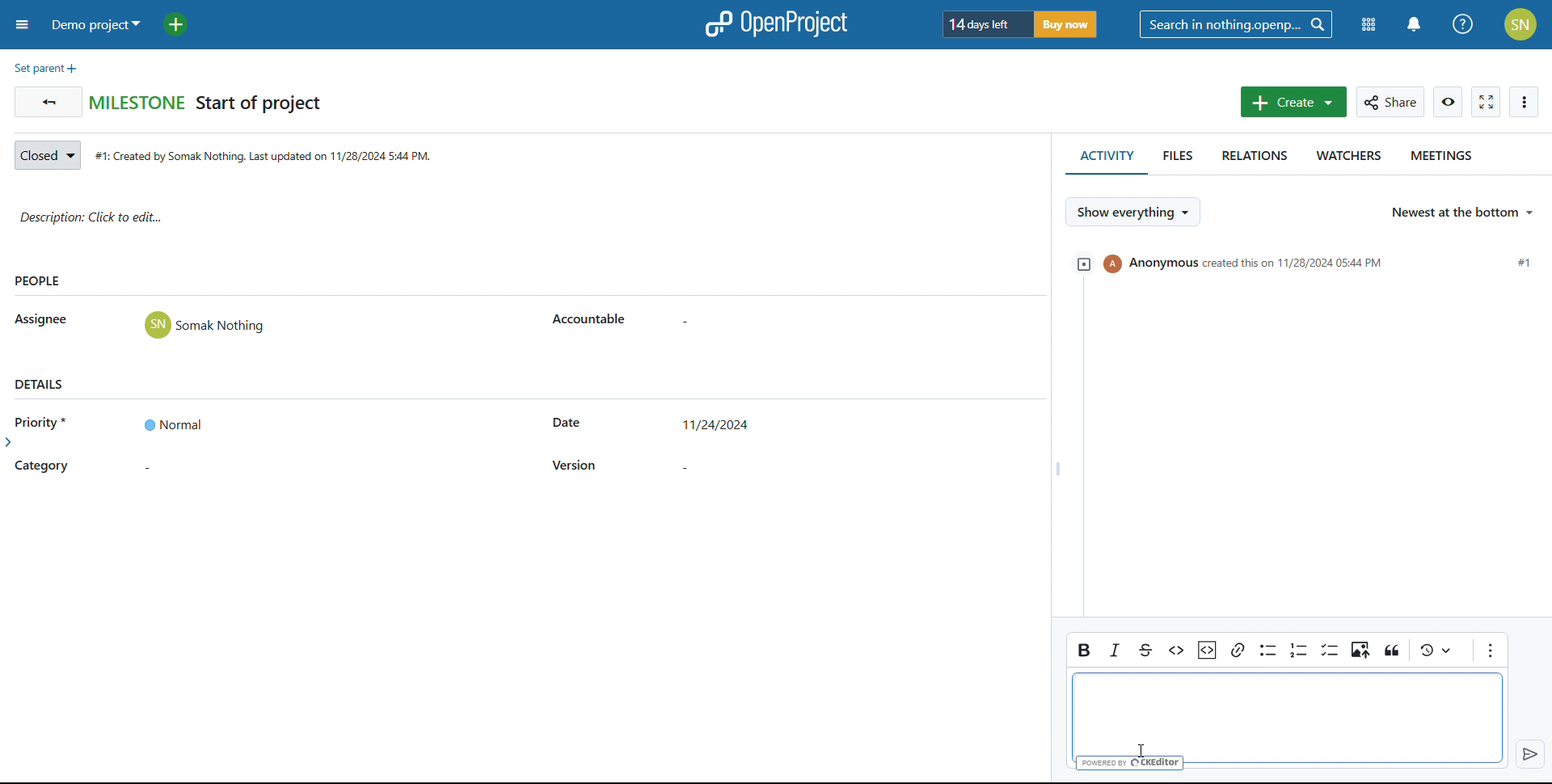 This screenshot has width=1552, height=784. I want to click on user, so click(205, 325).